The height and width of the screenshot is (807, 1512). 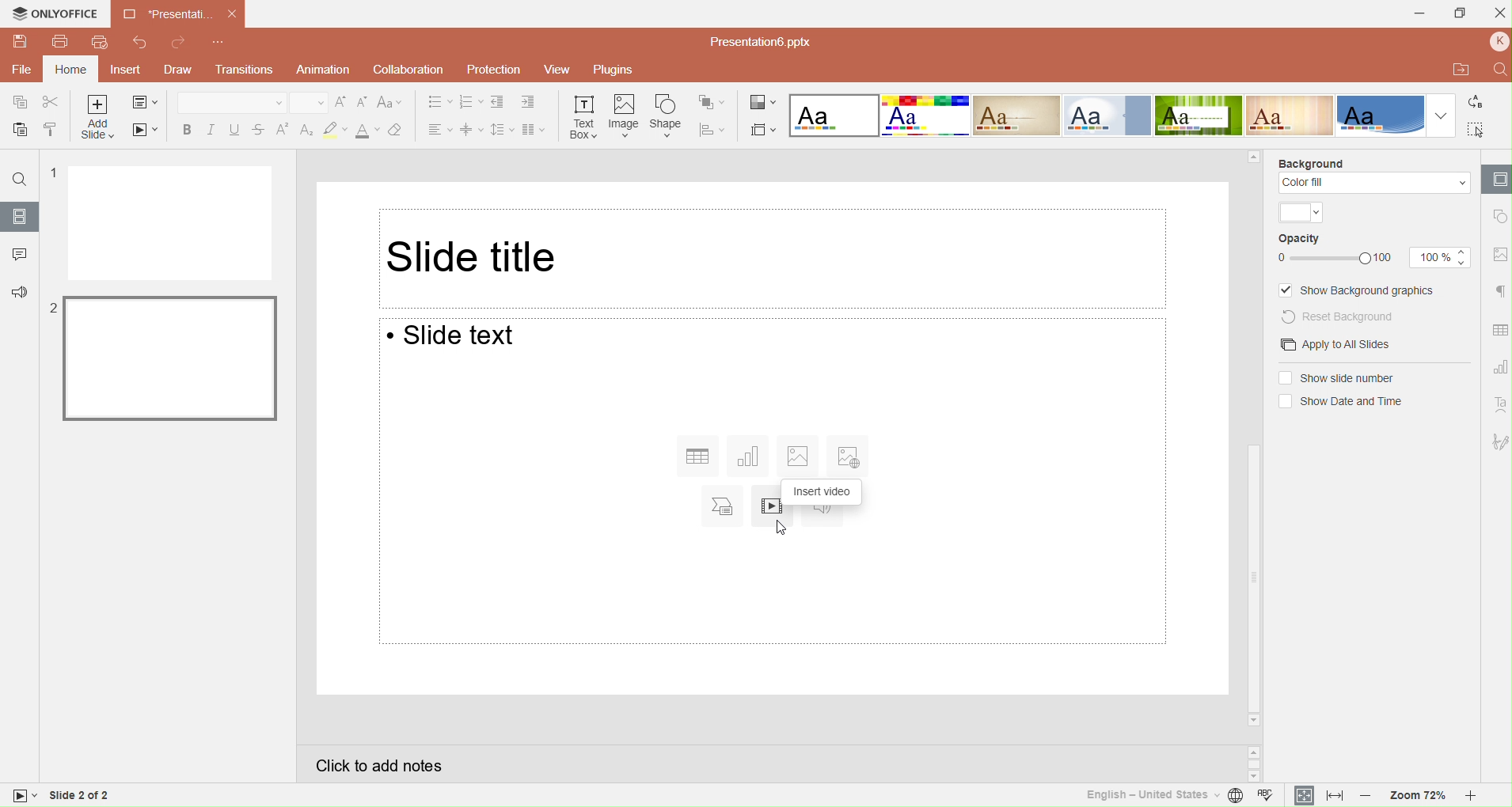 What do you see at coordinates (847, 457) in the screenshot?
I see `Insert image from URL` at bounding box center [847, 457].